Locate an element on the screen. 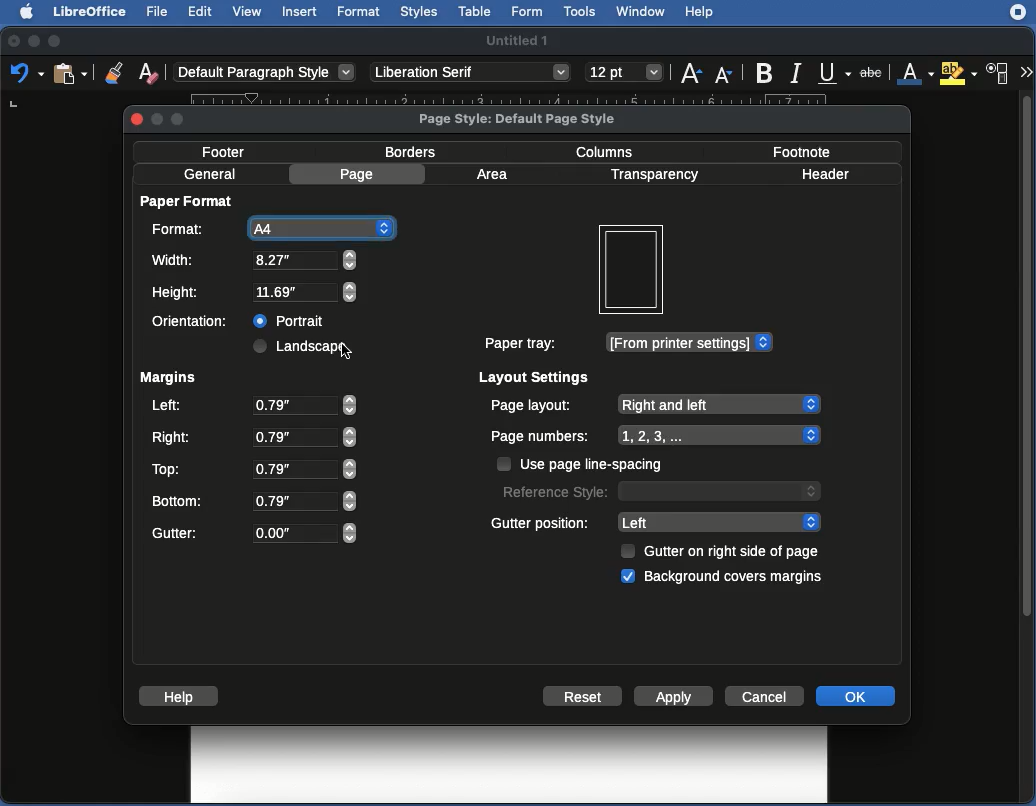  Portrait is located at coordinates (294, 318).